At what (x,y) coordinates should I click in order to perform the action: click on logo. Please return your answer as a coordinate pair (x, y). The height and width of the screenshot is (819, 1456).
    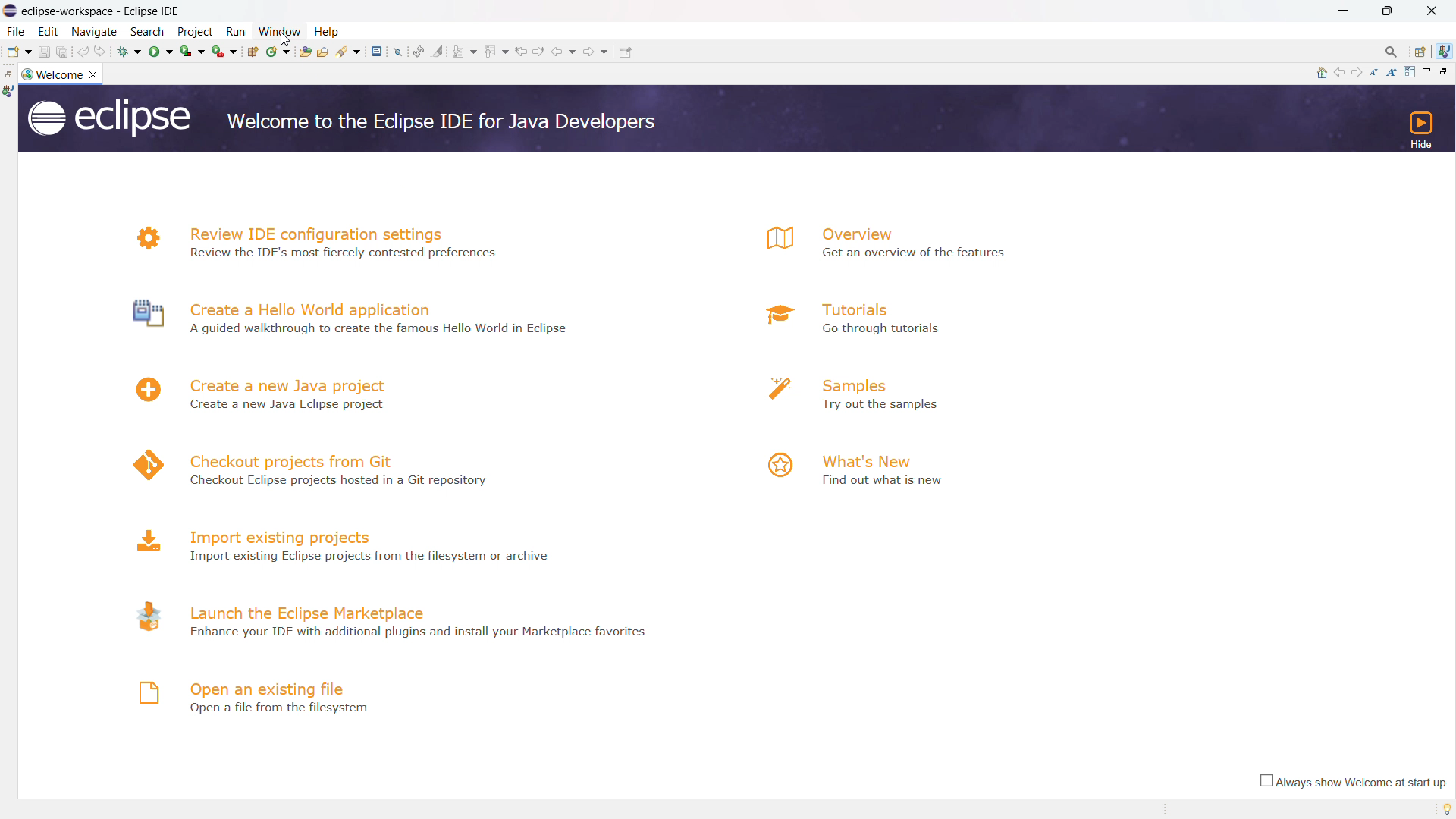
    Looking at the image, I should click on (144, 692).